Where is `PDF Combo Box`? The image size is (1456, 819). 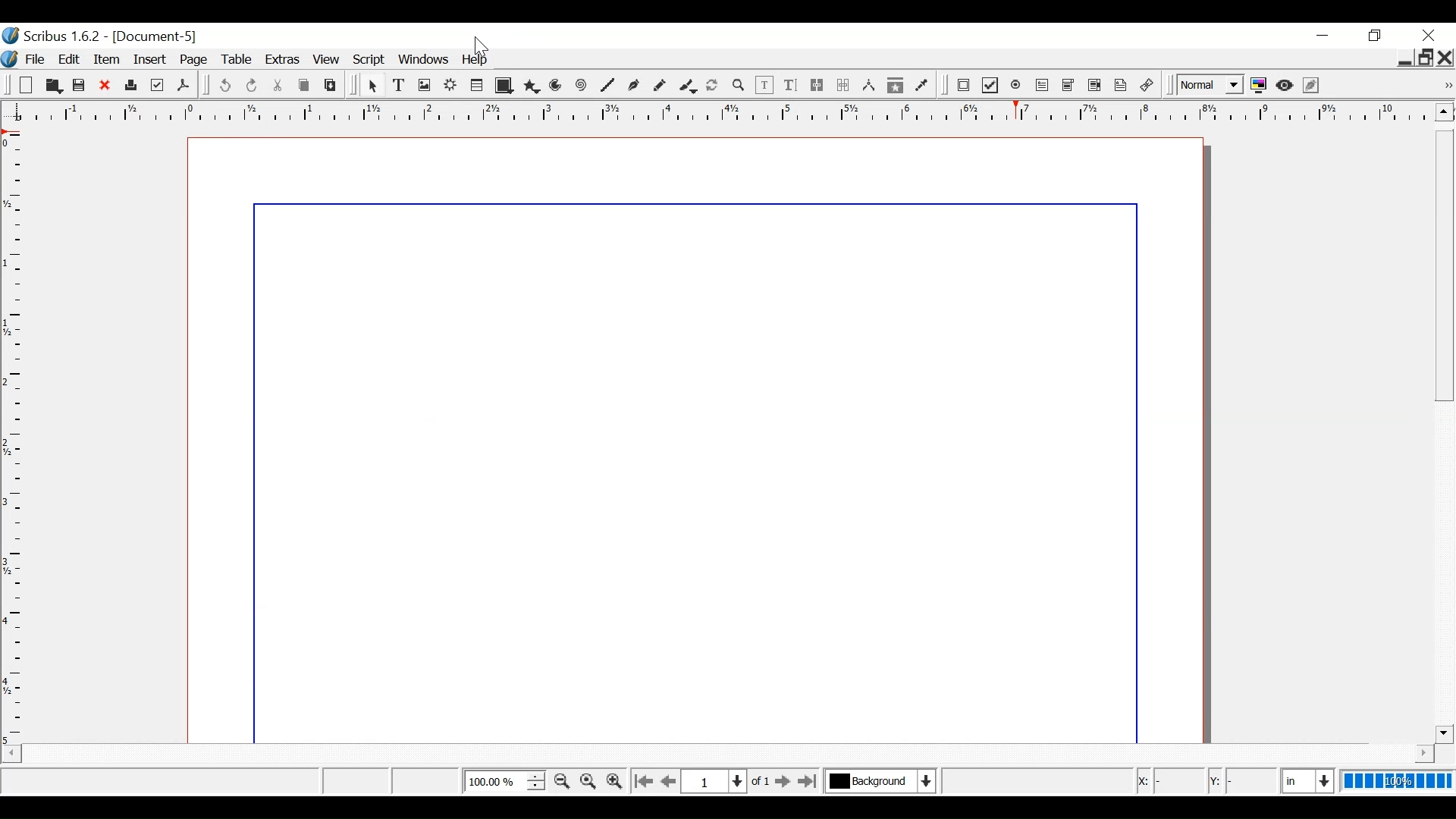 PDF Combo Box is located at coordinates (1068, 86).